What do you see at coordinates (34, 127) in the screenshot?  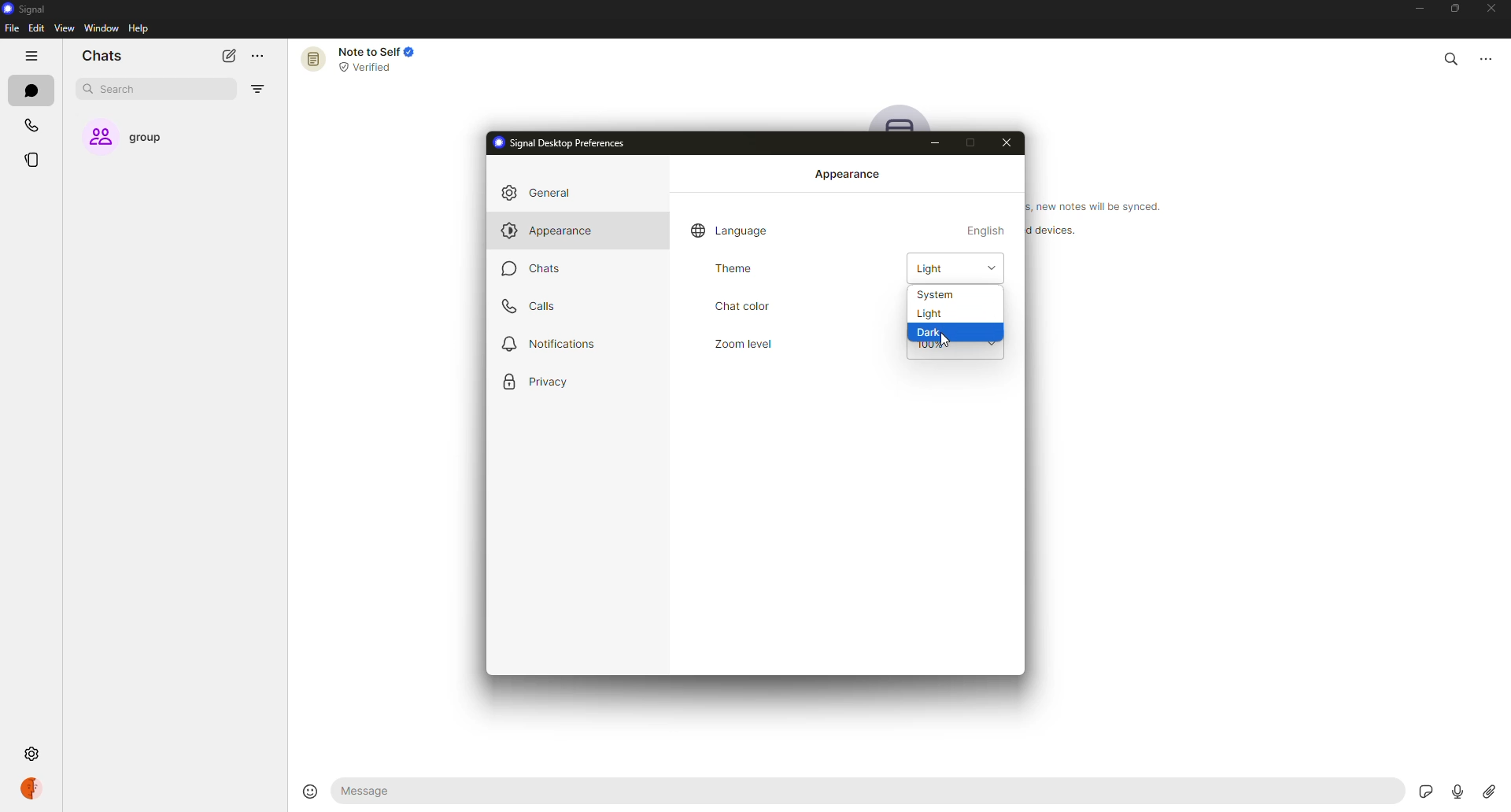 I see `calls` at bounding box center [34, 127].